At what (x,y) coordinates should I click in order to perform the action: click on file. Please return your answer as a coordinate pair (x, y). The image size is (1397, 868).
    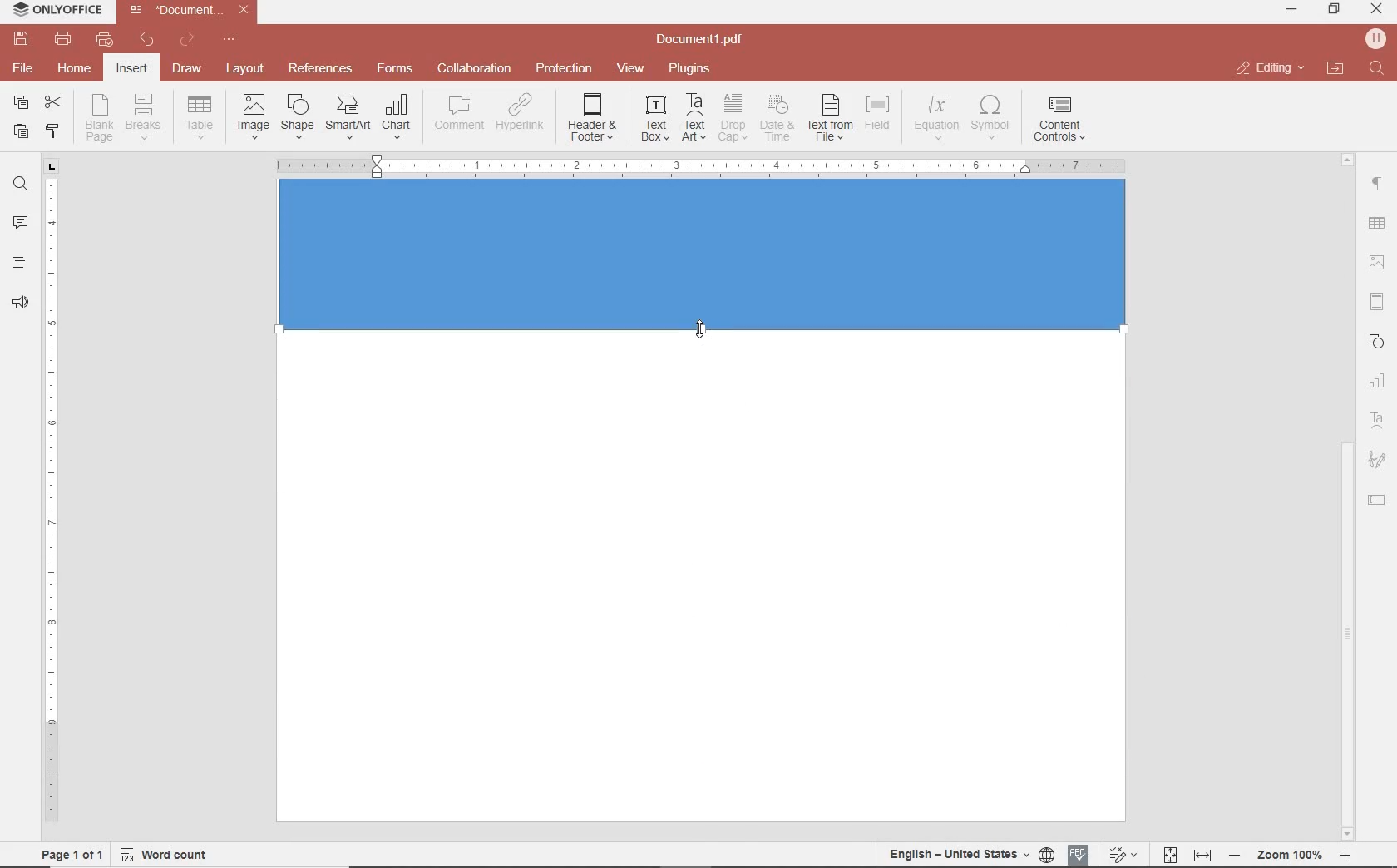
    Looking at the image, I should click on (24, 68).